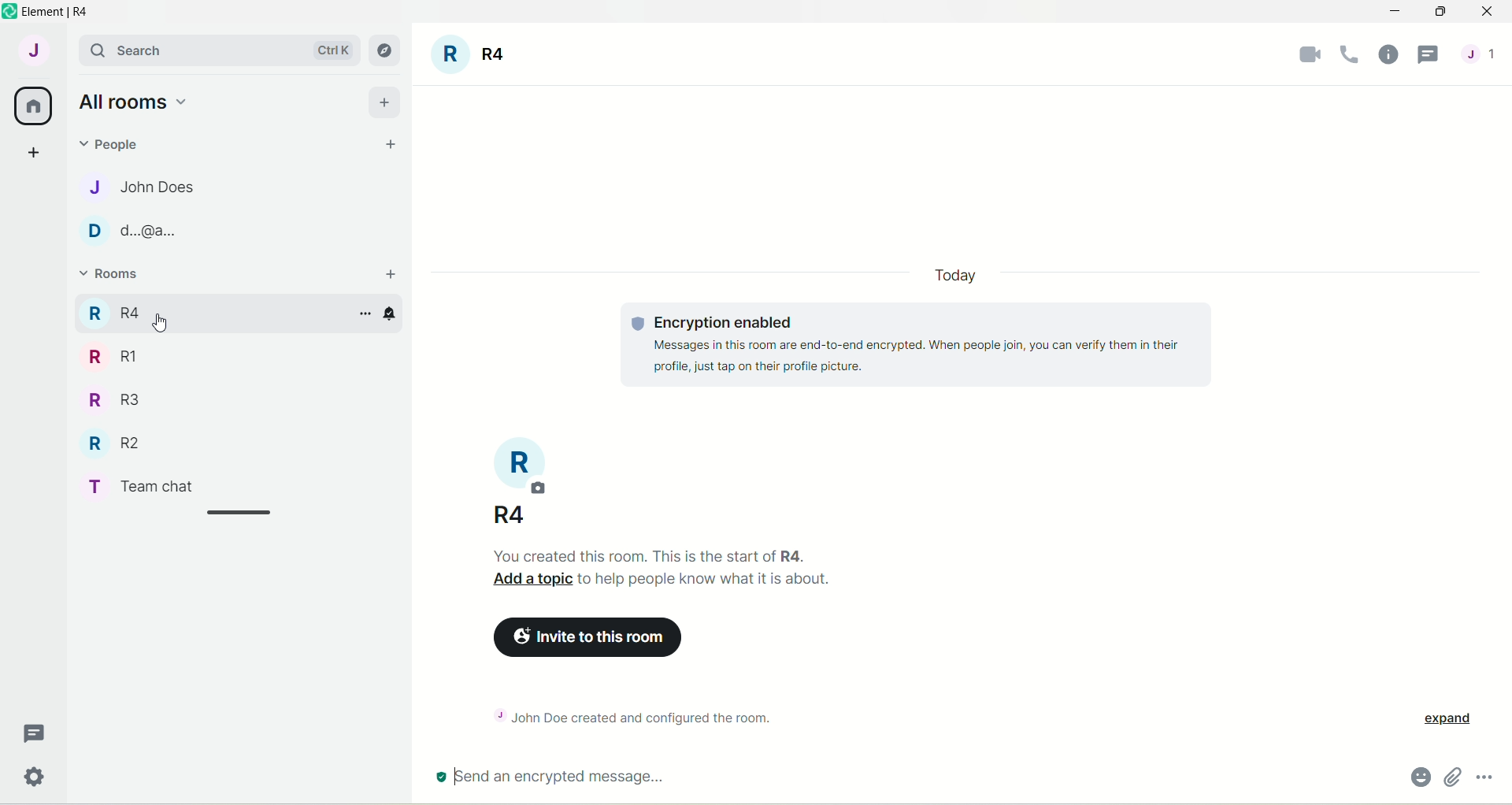 This screenshot has width=1512, height=805. Describe the element at coordinates (386, 50) in the screenshot. I see `explore rooms` at that location.